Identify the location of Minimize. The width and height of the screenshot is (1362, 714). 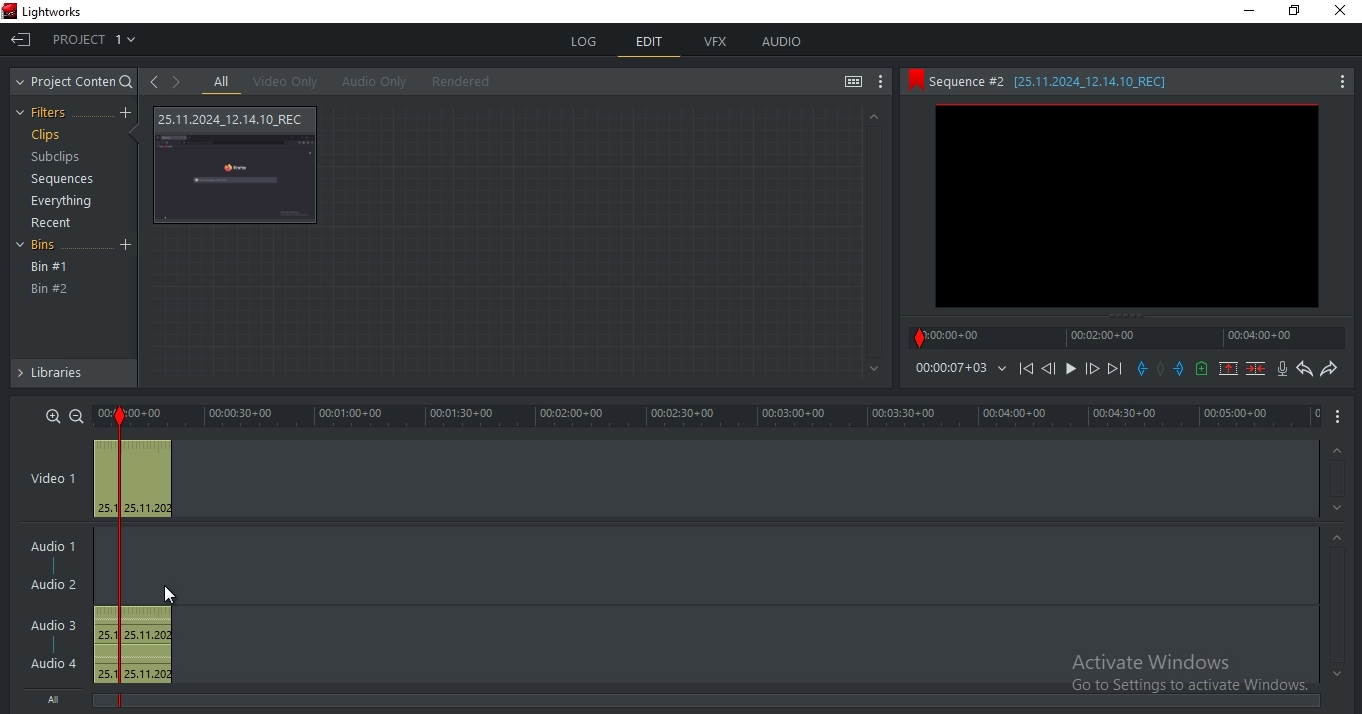
(1246, 12).